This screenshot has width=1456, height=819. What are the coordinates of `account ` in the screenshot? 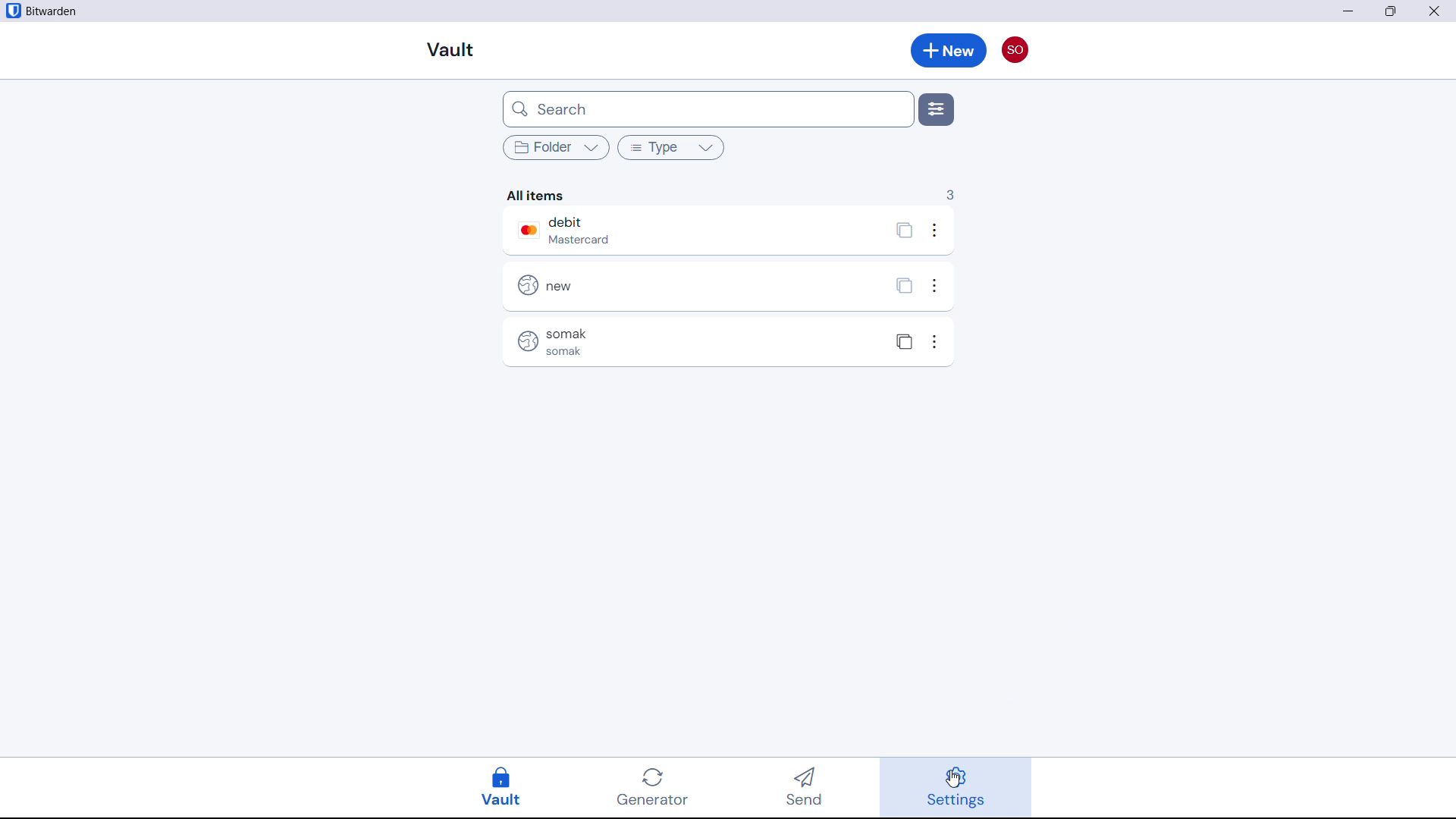 It's located at (1016, 49).